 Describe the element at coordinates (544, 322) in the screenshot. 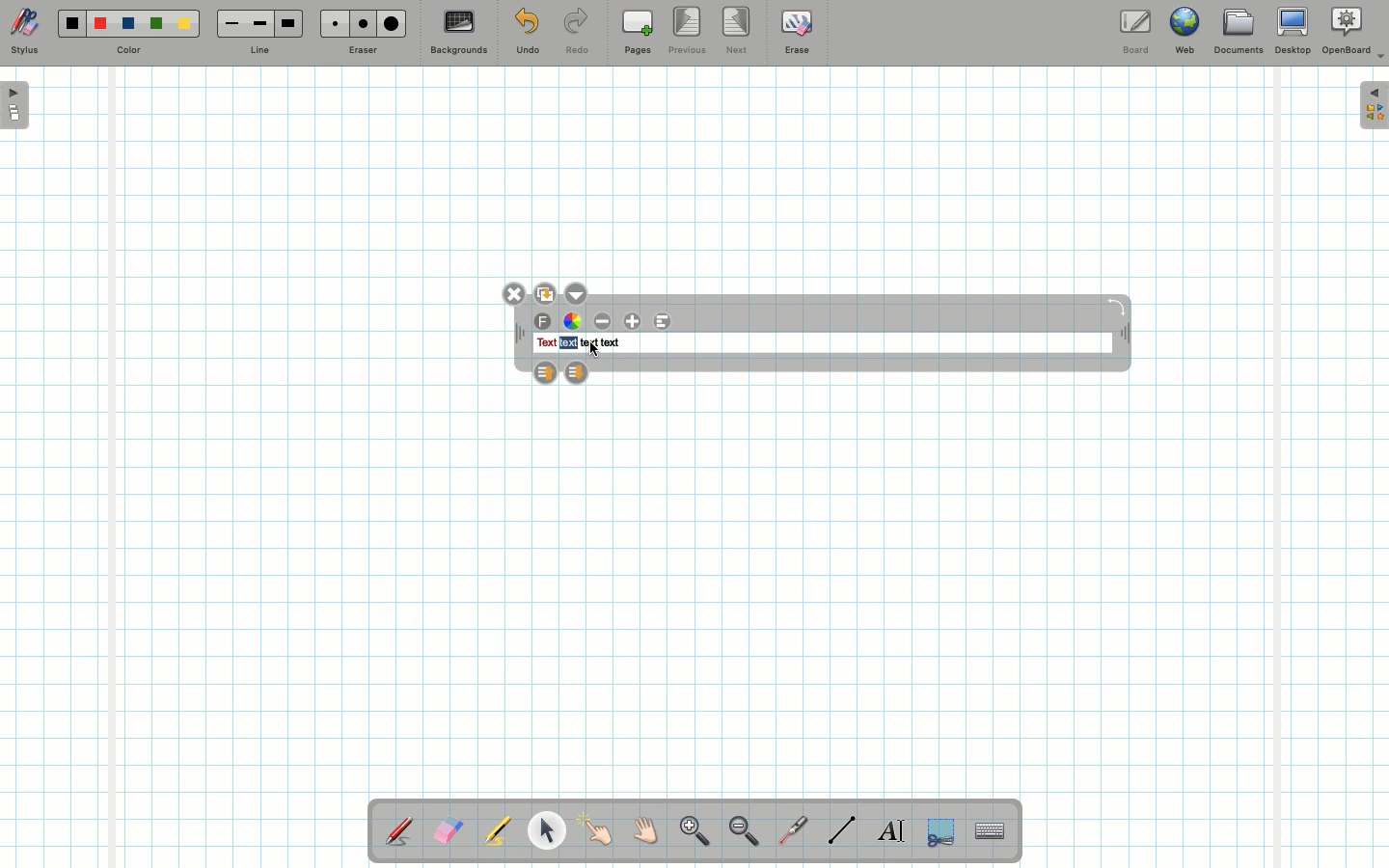

I see `Font` at that location.